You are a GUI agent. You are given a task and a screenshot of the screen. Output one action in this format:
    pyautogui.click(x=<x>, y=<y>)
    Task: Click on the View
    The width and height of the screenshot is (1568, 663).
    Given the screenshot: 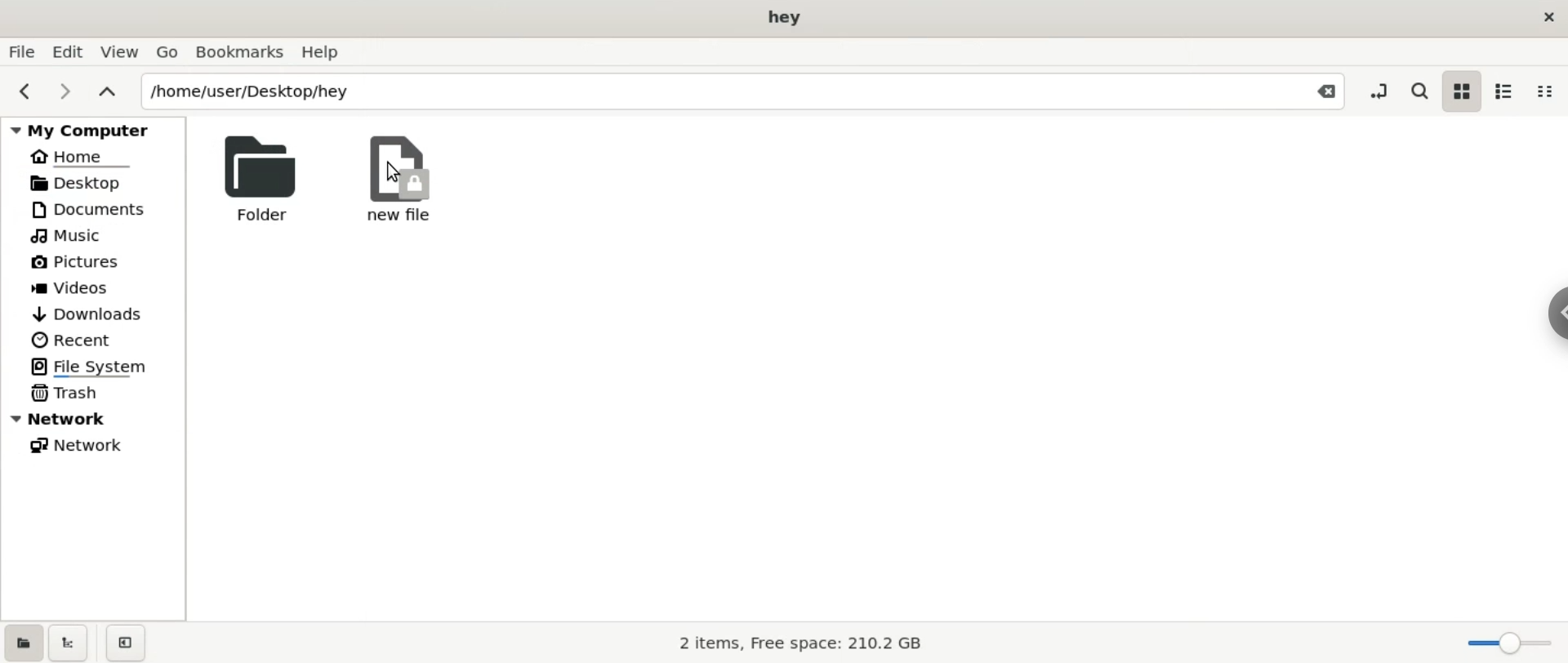 What is the action you would take?
    pyautogui.click(x=122, y=54)
    